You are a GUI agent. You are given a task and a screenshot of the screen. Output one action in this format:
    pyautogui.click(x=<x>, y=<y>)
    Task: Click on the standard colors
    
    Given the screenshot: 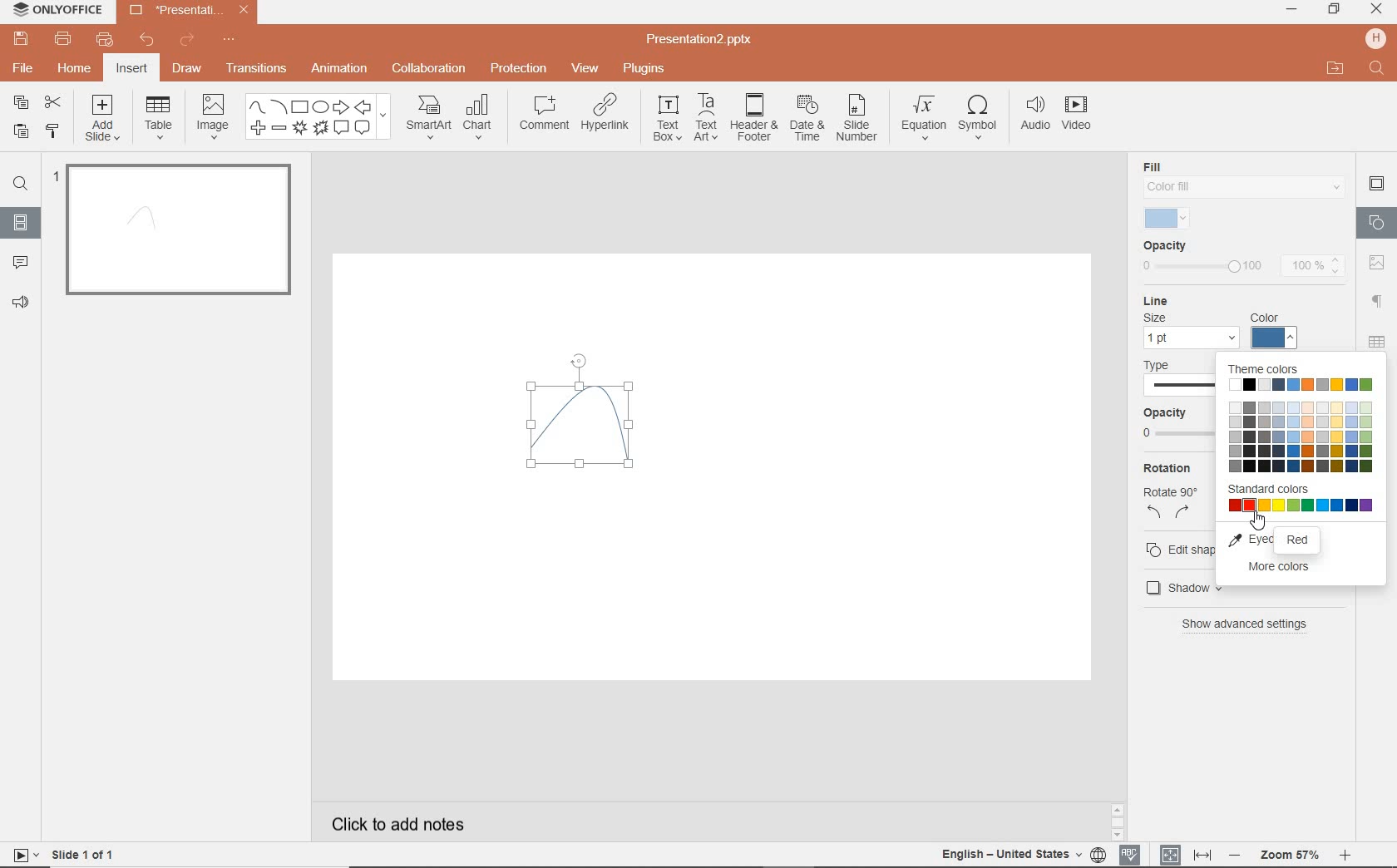 What is the action you would take?
    pyautogui.click(x=1300, y=499)
    